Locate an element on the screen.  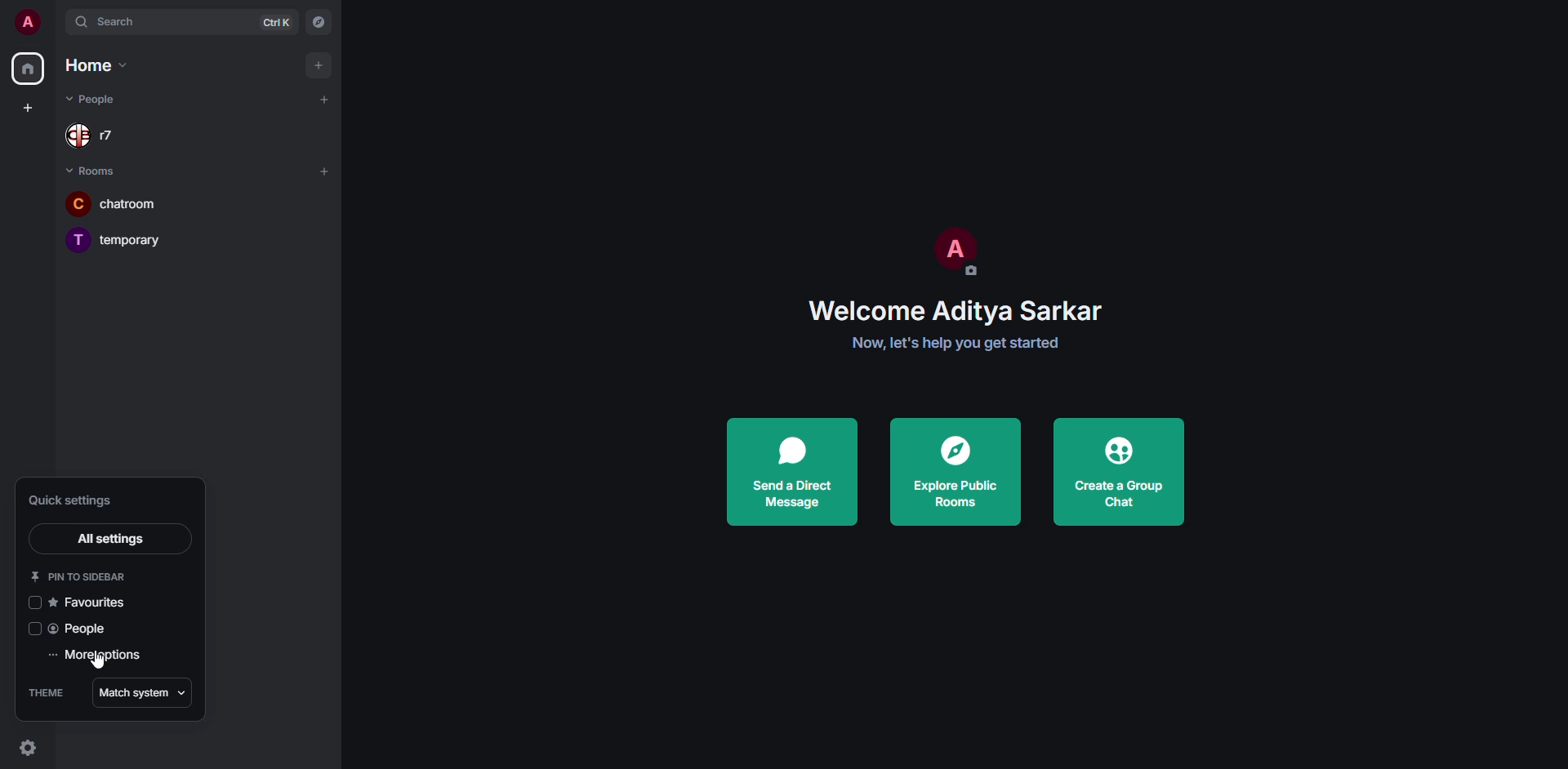
expand is located at coordinates (54, 24).